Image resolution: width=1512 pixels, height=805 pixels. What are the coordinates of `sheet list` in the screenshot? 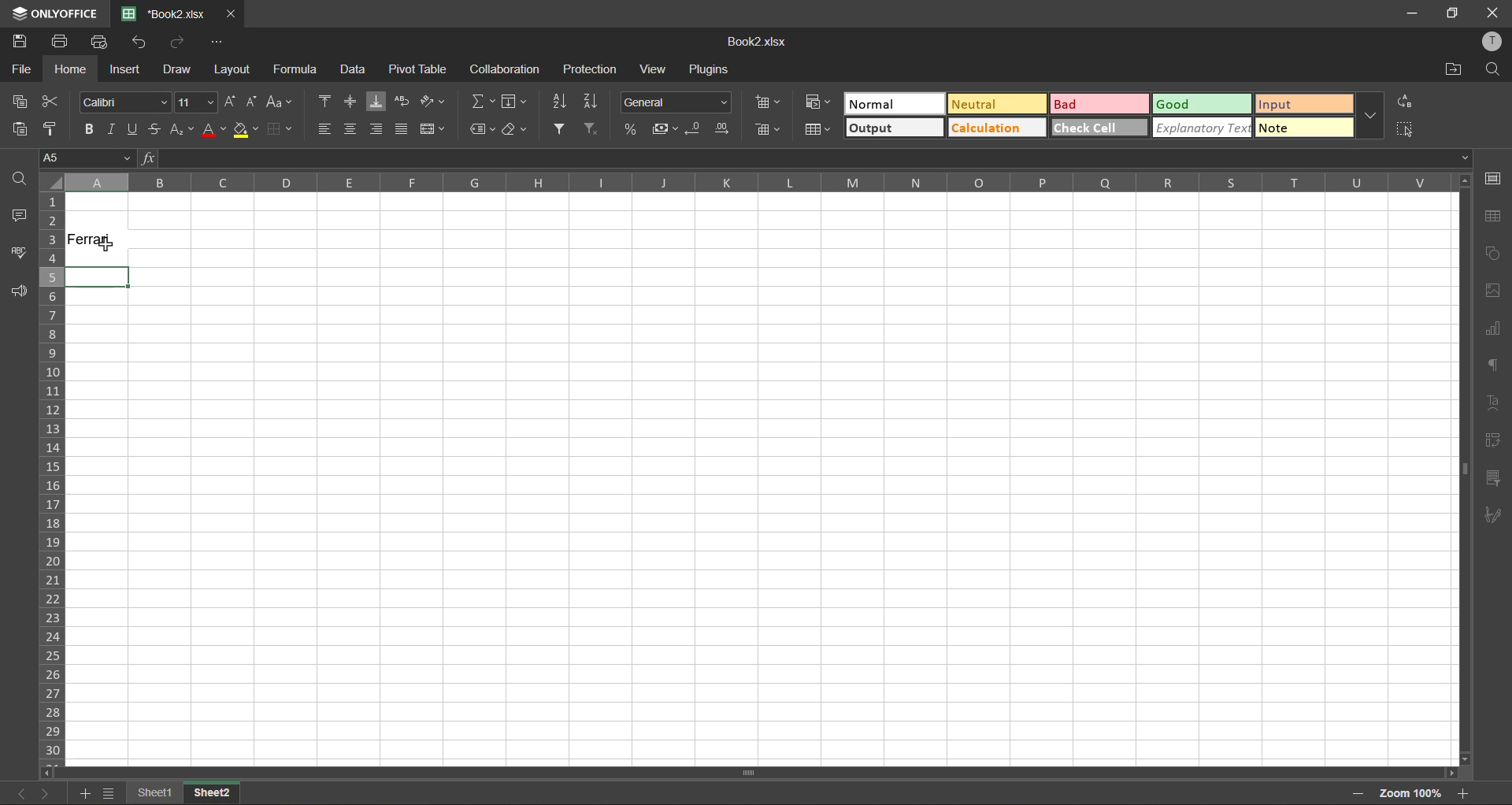 It's located at (108, 793).